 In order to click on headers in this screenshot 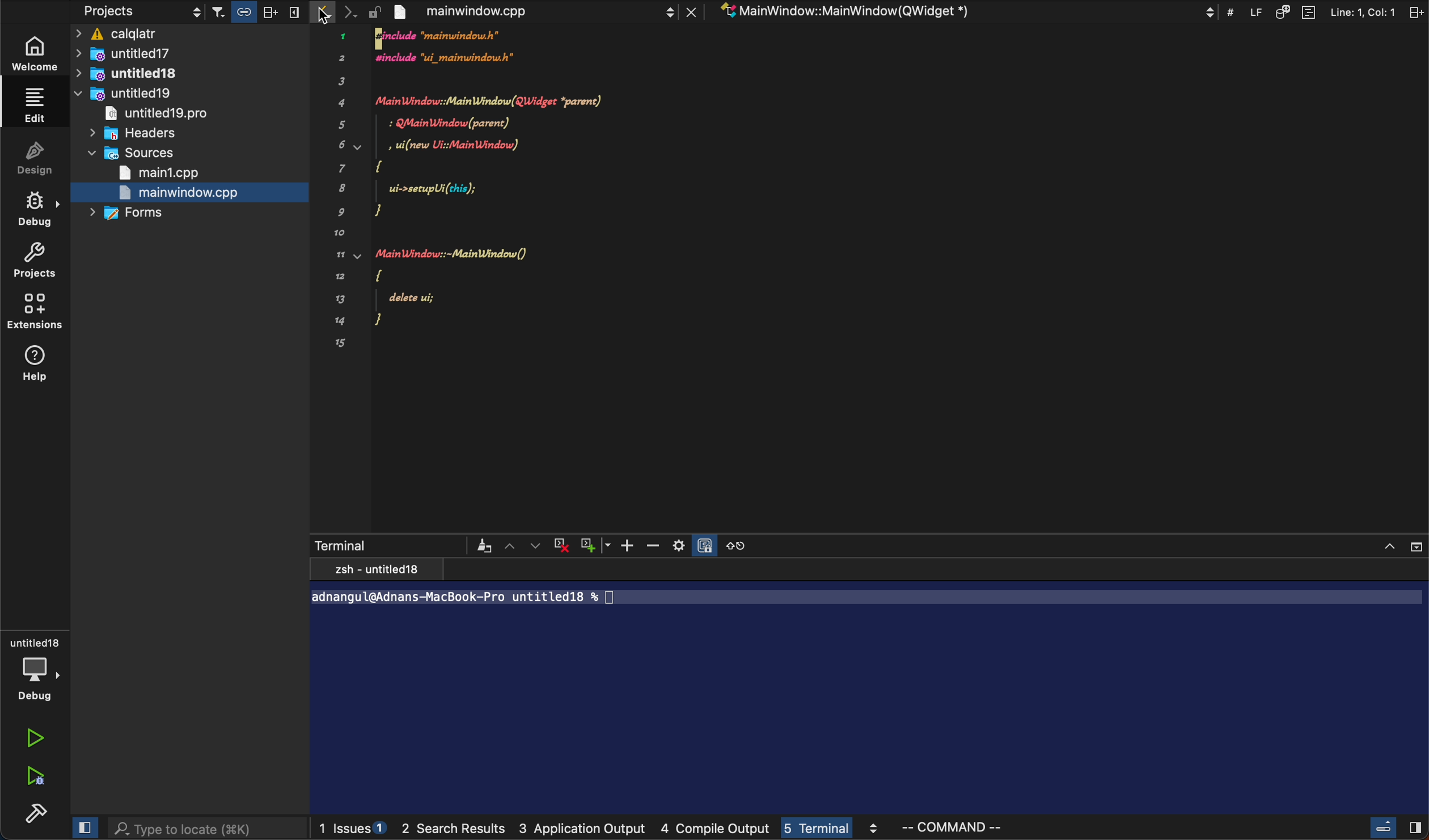, I will do `click(142, 134)`.